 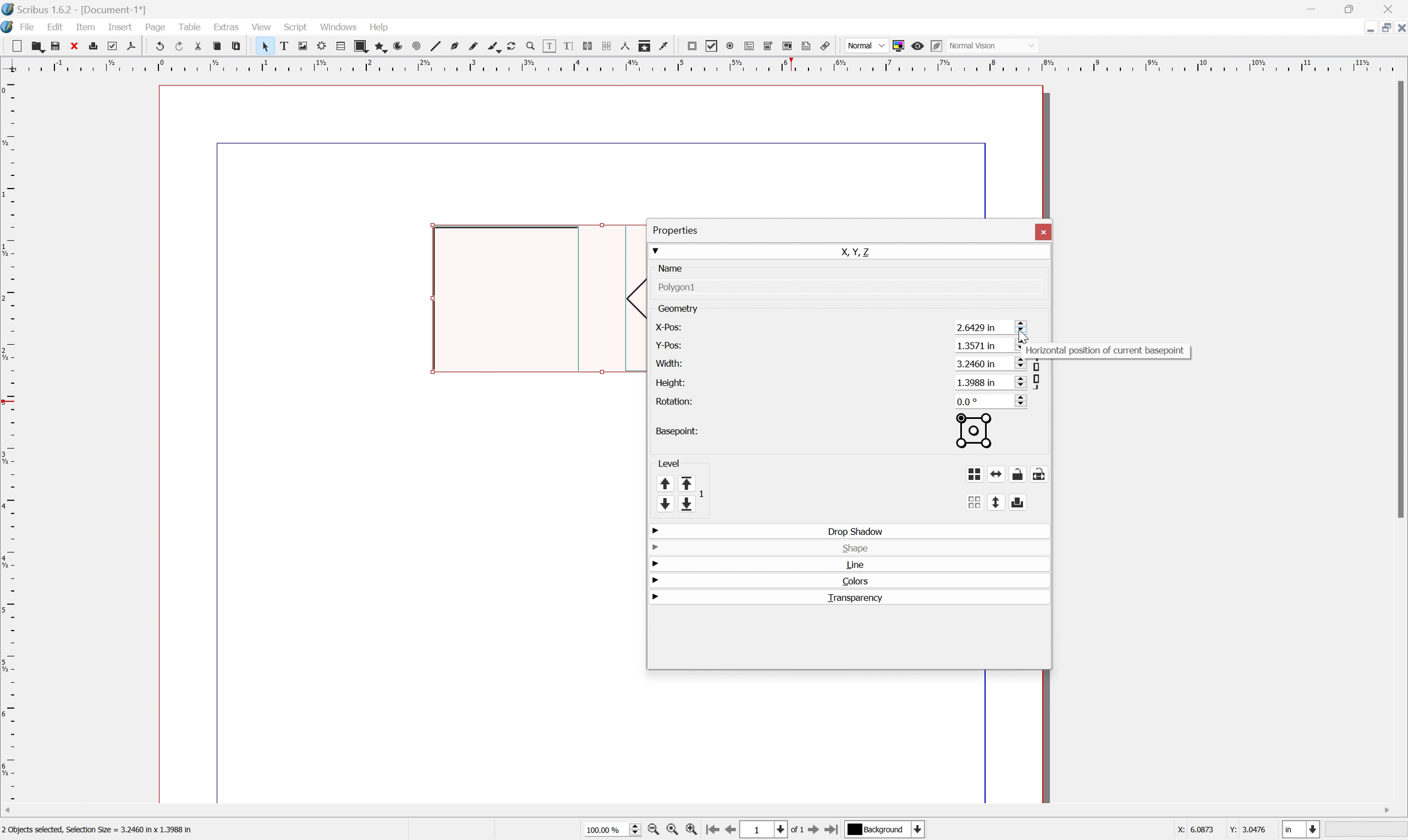 I want to click on PDF list box, so click(x=785, y=45).